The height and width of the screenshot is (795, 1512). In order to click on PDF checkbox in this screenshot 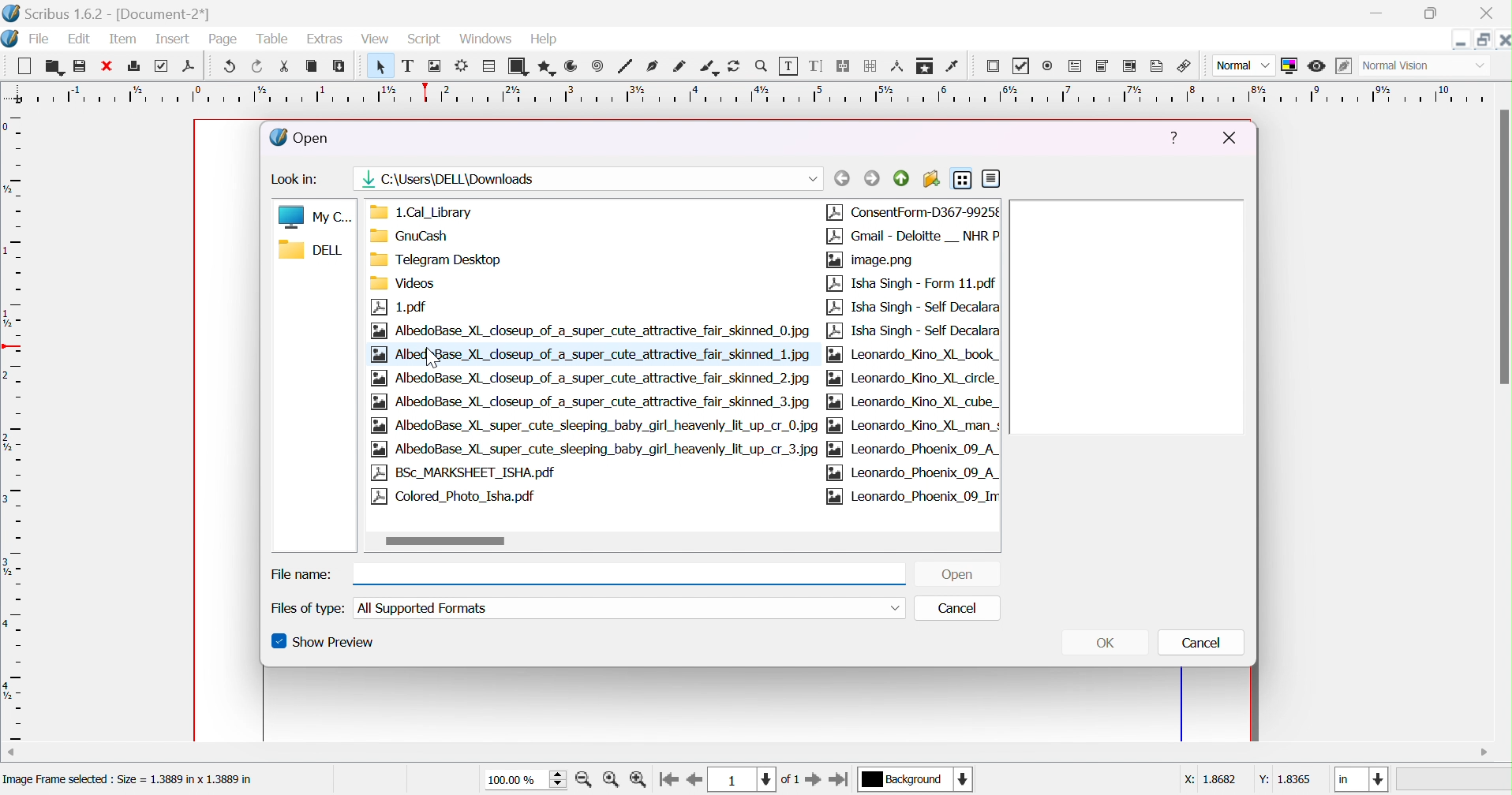, I will do `click(1025, 66)`.